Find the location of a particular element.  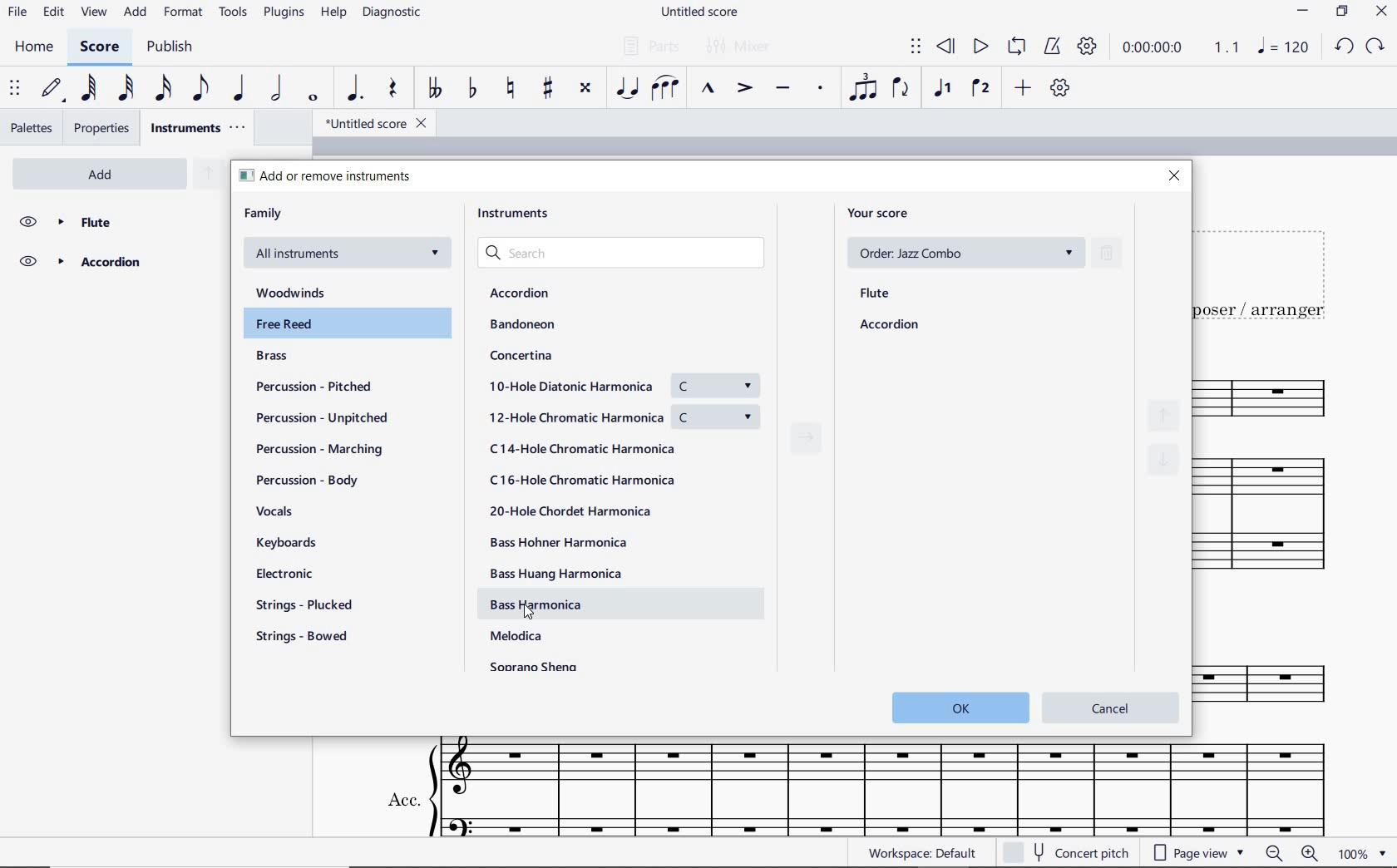

accordion is located at coordinates (890, 326).